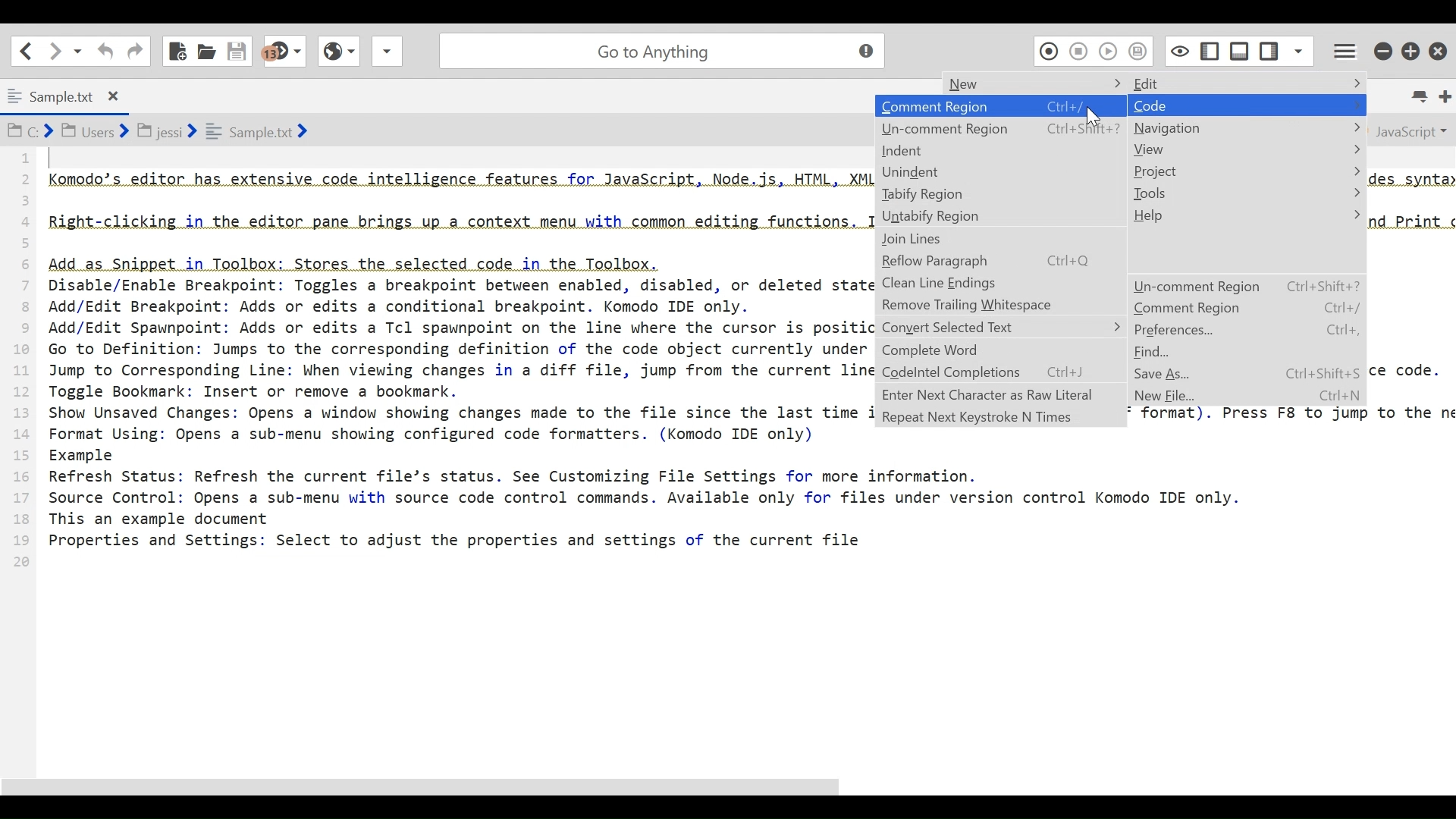  What do you see at coordinates (1341, 49) in the screenshot?
I see `Application menu` at bounding box center [1341, 49].